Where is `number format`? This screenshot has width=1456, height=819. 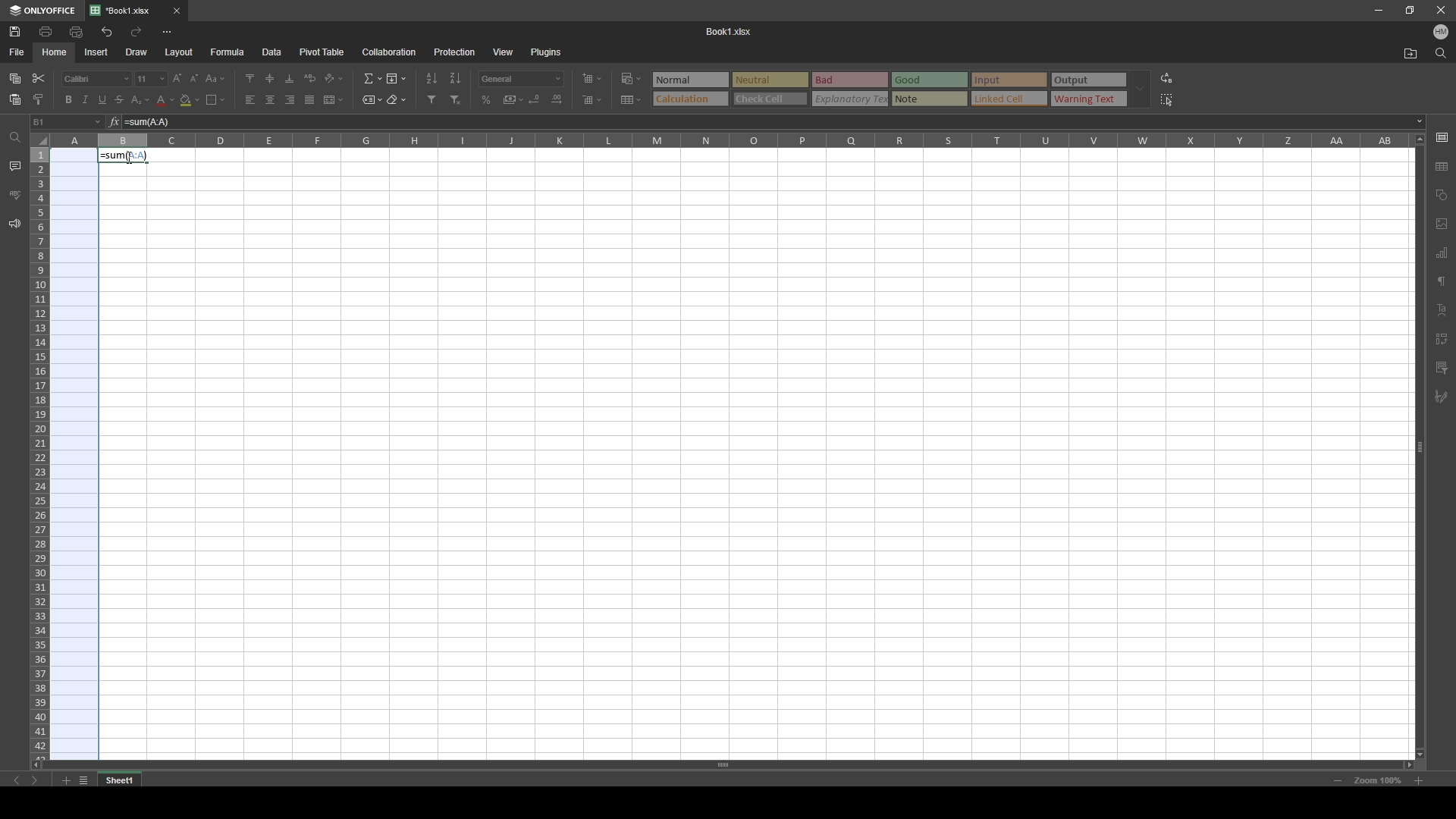
number format is located at coordinates (521, 79).